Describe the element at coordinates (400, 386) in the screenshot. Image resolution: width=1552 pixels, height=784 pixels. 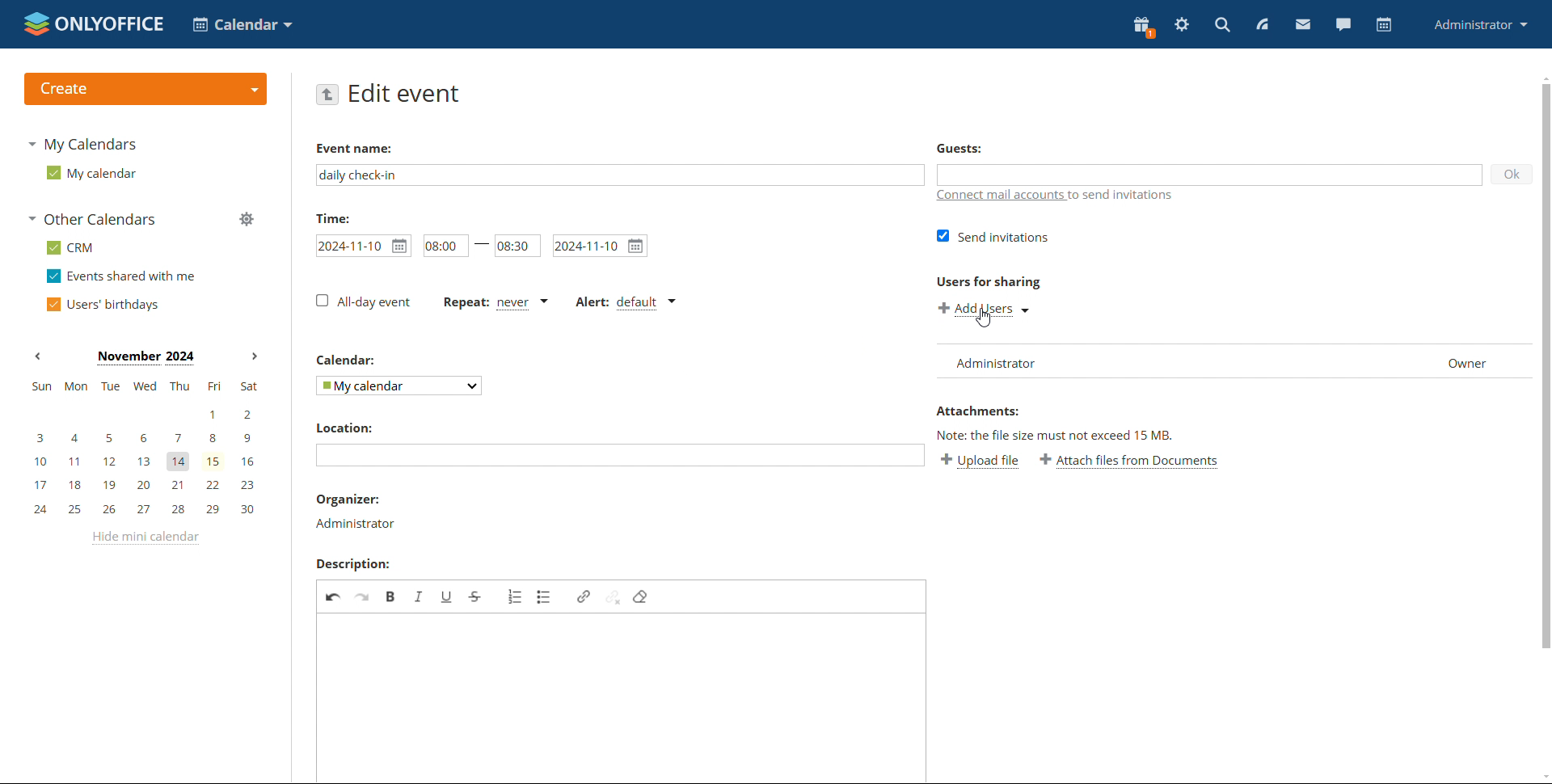
I see `select calendar` at that location.